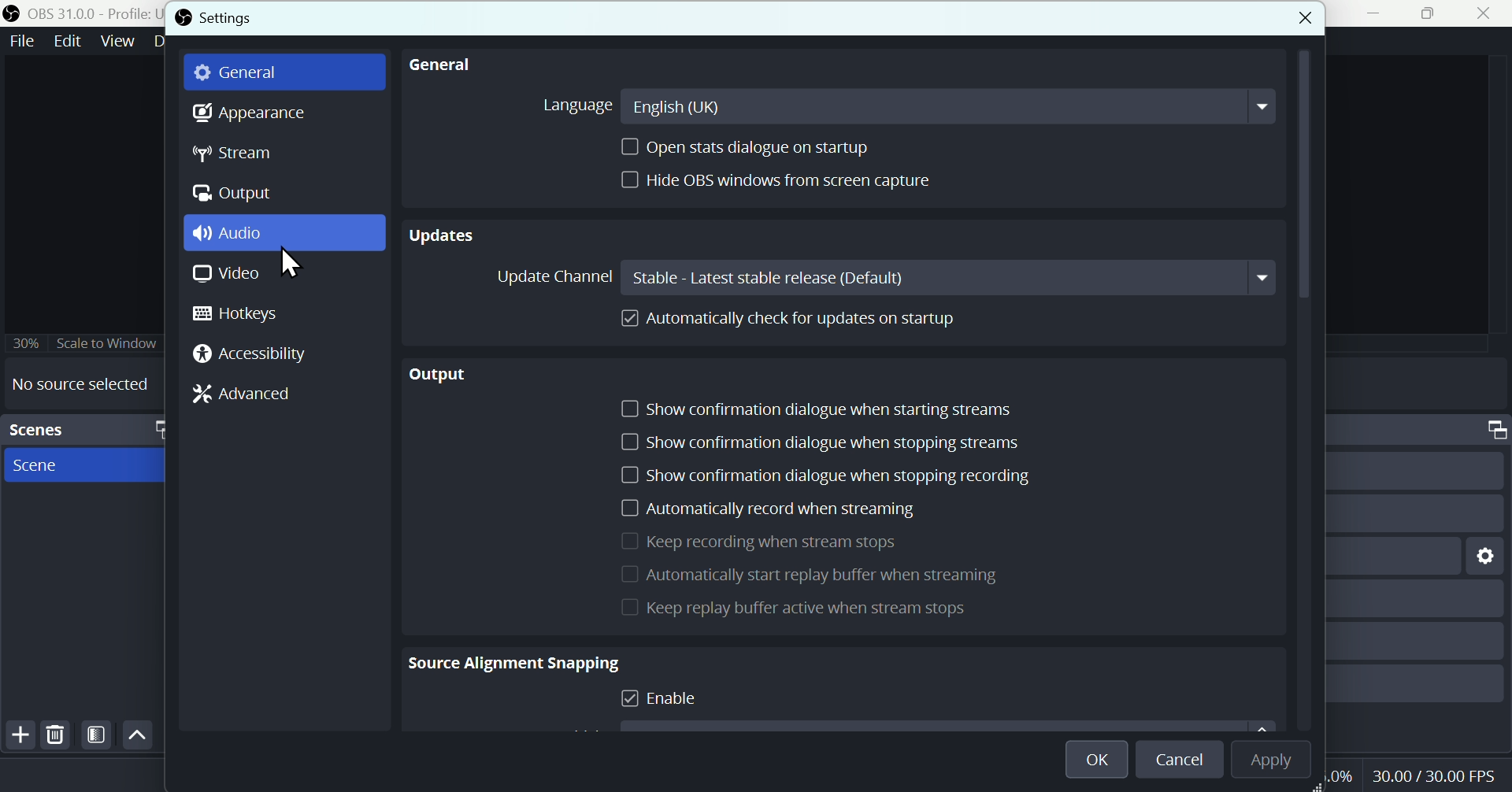 The width and height of the screenshot is (1512, 792). Describe the element at coordinates (246, 314) in the screenshot. I see `Hot keys` at that location.